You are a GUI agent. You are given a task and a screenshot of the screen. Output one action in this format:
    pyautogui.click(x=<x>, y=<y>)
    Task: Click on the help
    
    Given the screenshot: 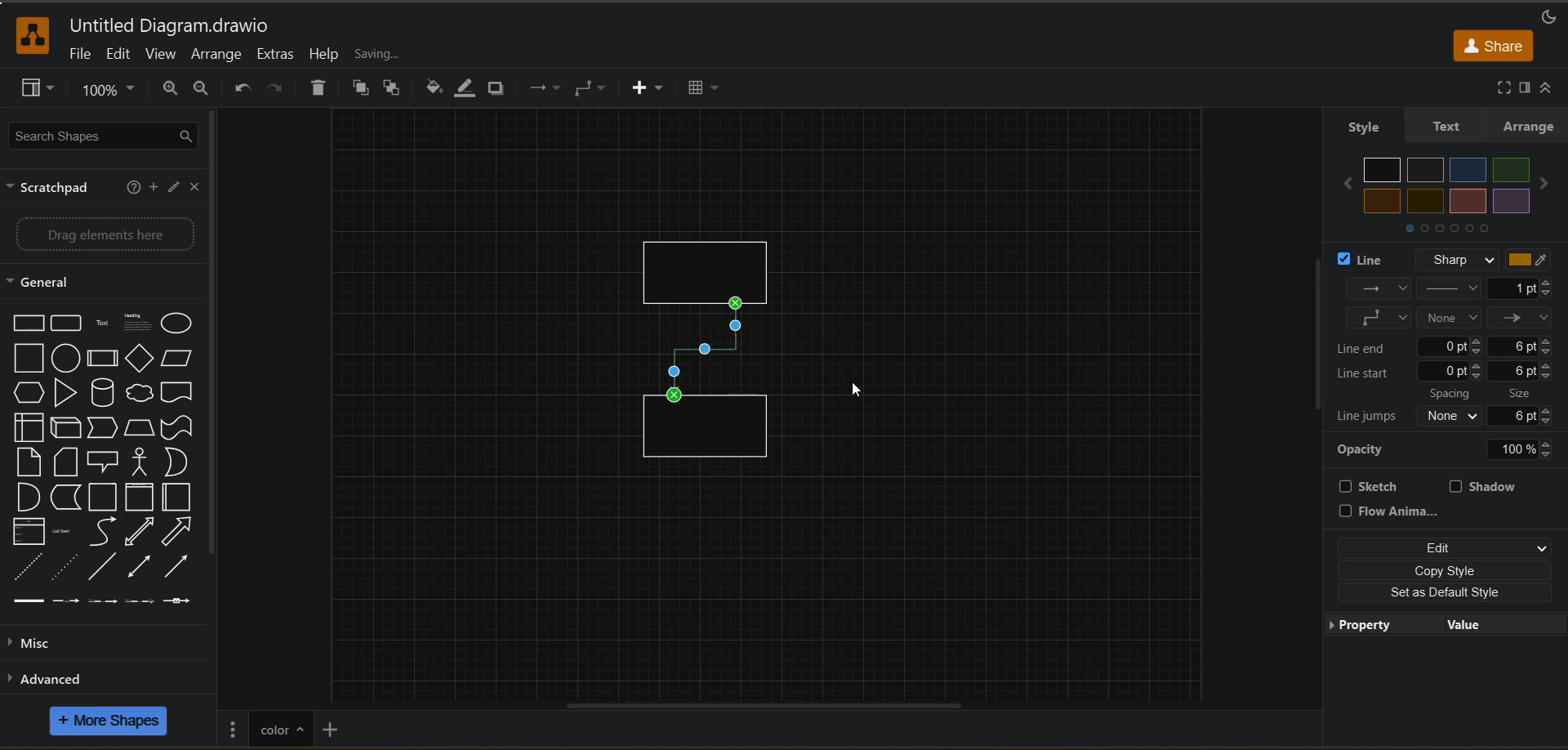 What is the action you would take?
    pyautogui.click(x=131, y=190)
    